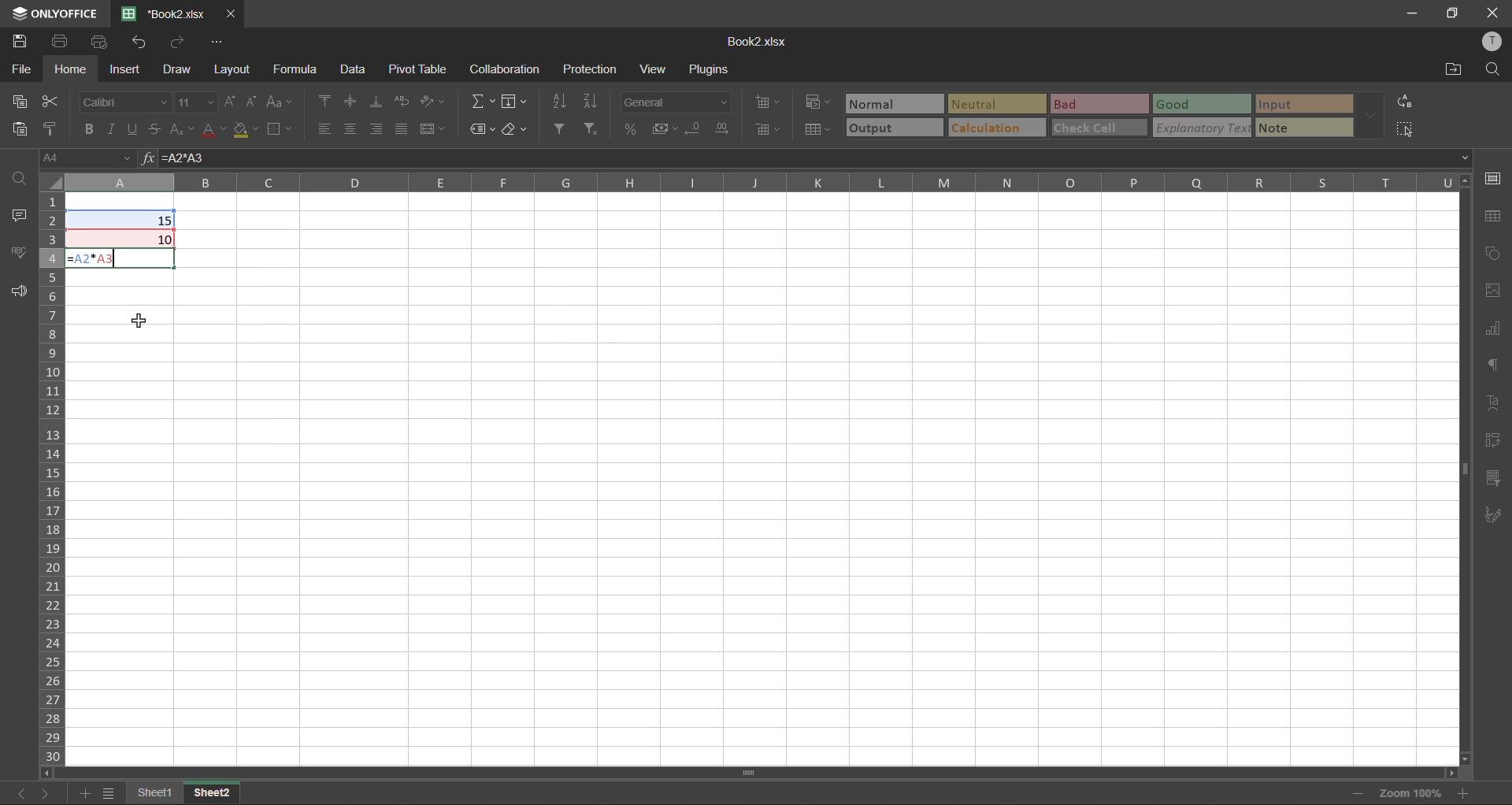 Image resolution: width=1512 pixels, height=805 pixels. What do you see at coordinates (651, 71) in the screenshot?
I see `view` at bounding box center [651, 71].